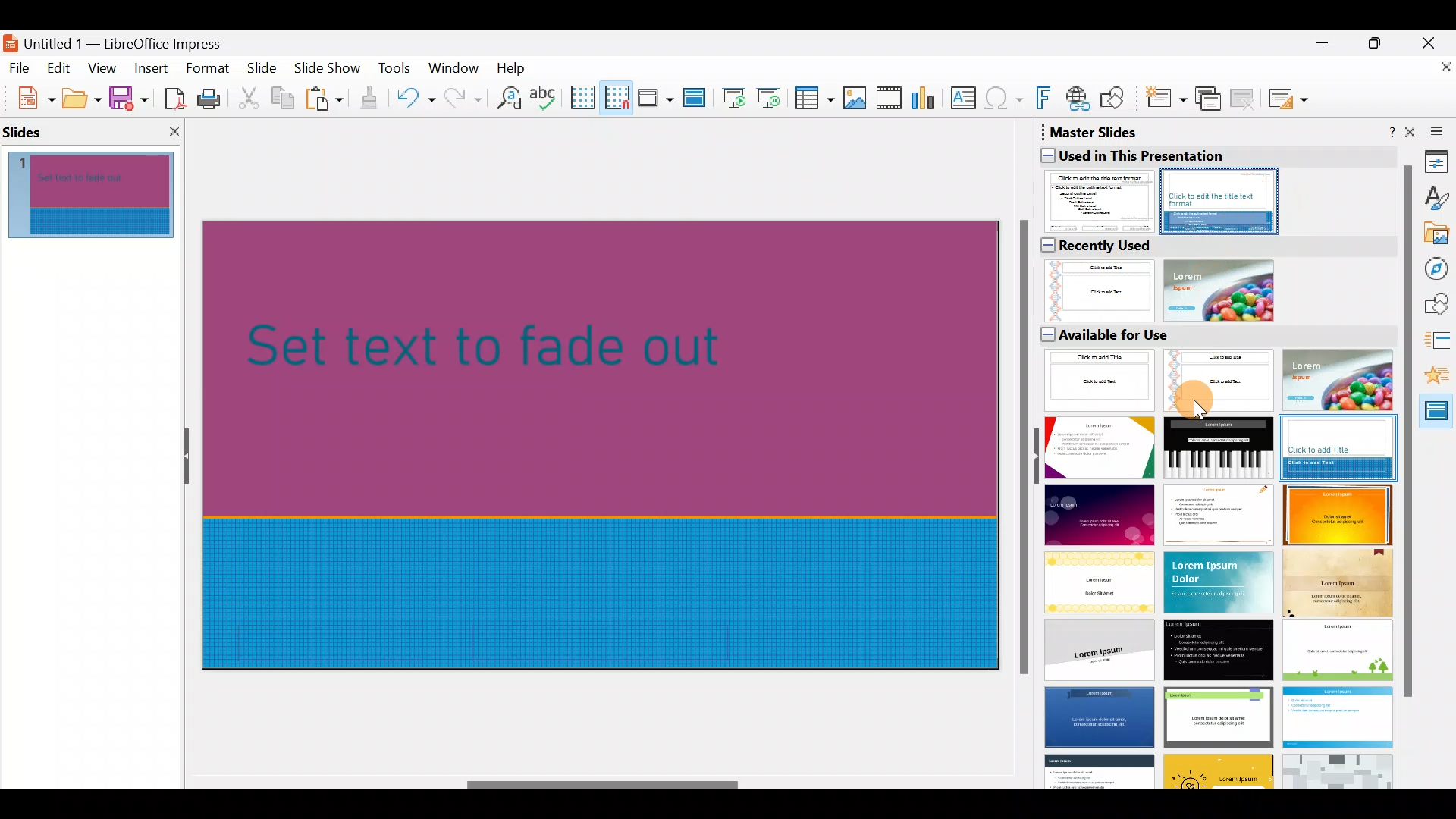  Describe the element at coordinates (1438, 200) in the screenshot. I see `Styles` at that location.